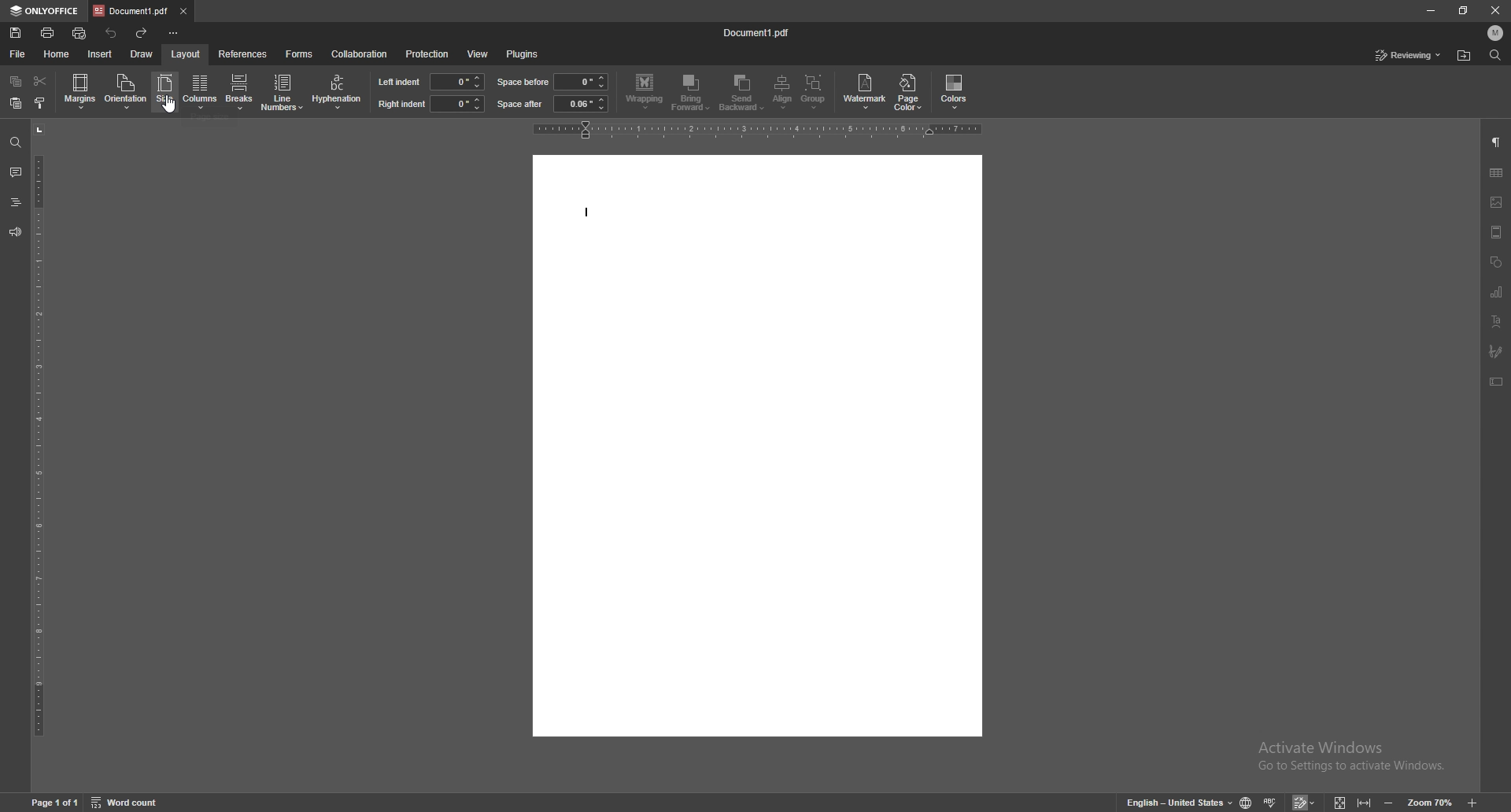 This screenshot has width=1511, height=812. I want to click on print, so click(49, 33).